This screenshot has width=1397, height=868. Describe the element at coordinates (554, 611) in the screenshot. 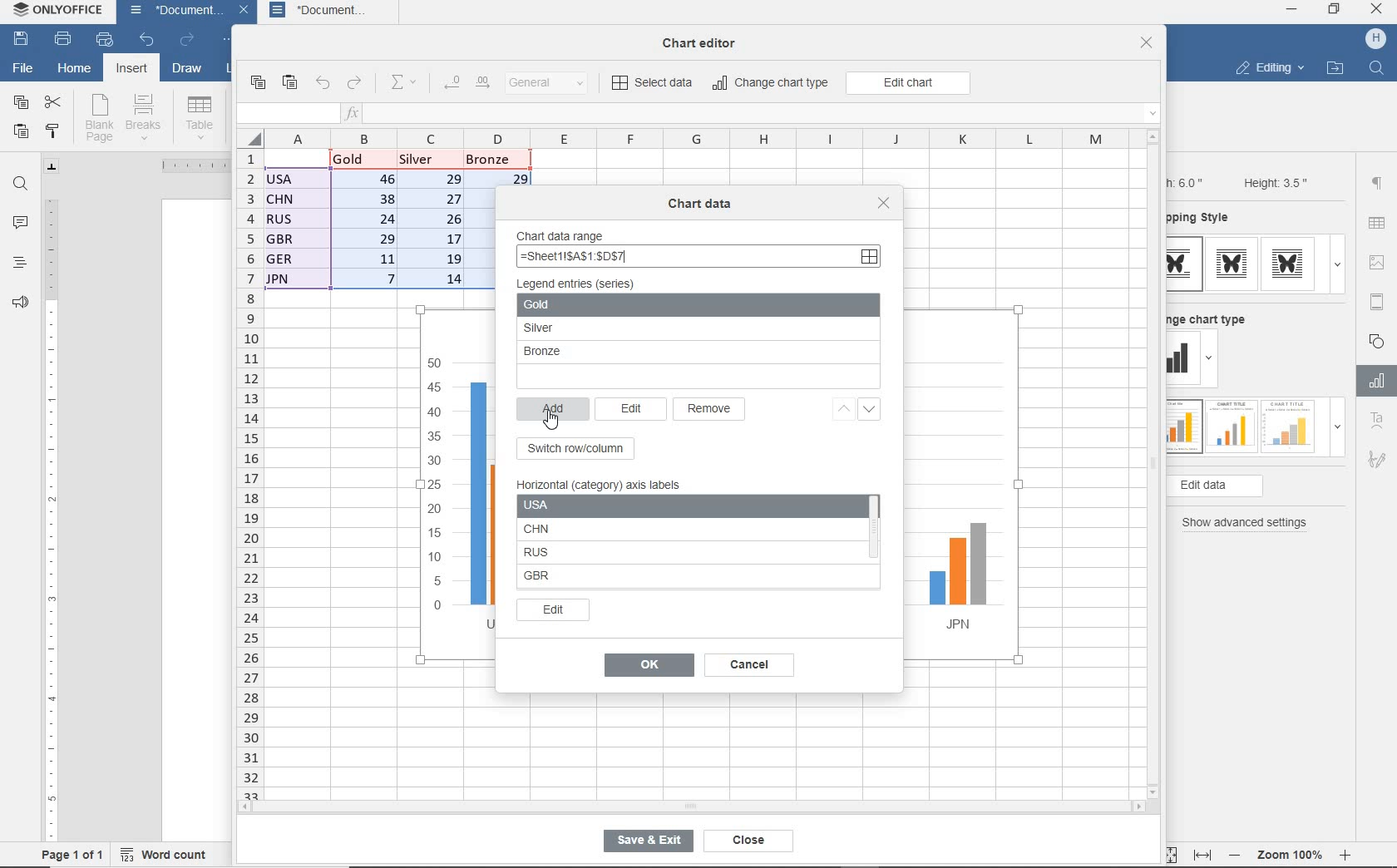

I see `edit` at that location.